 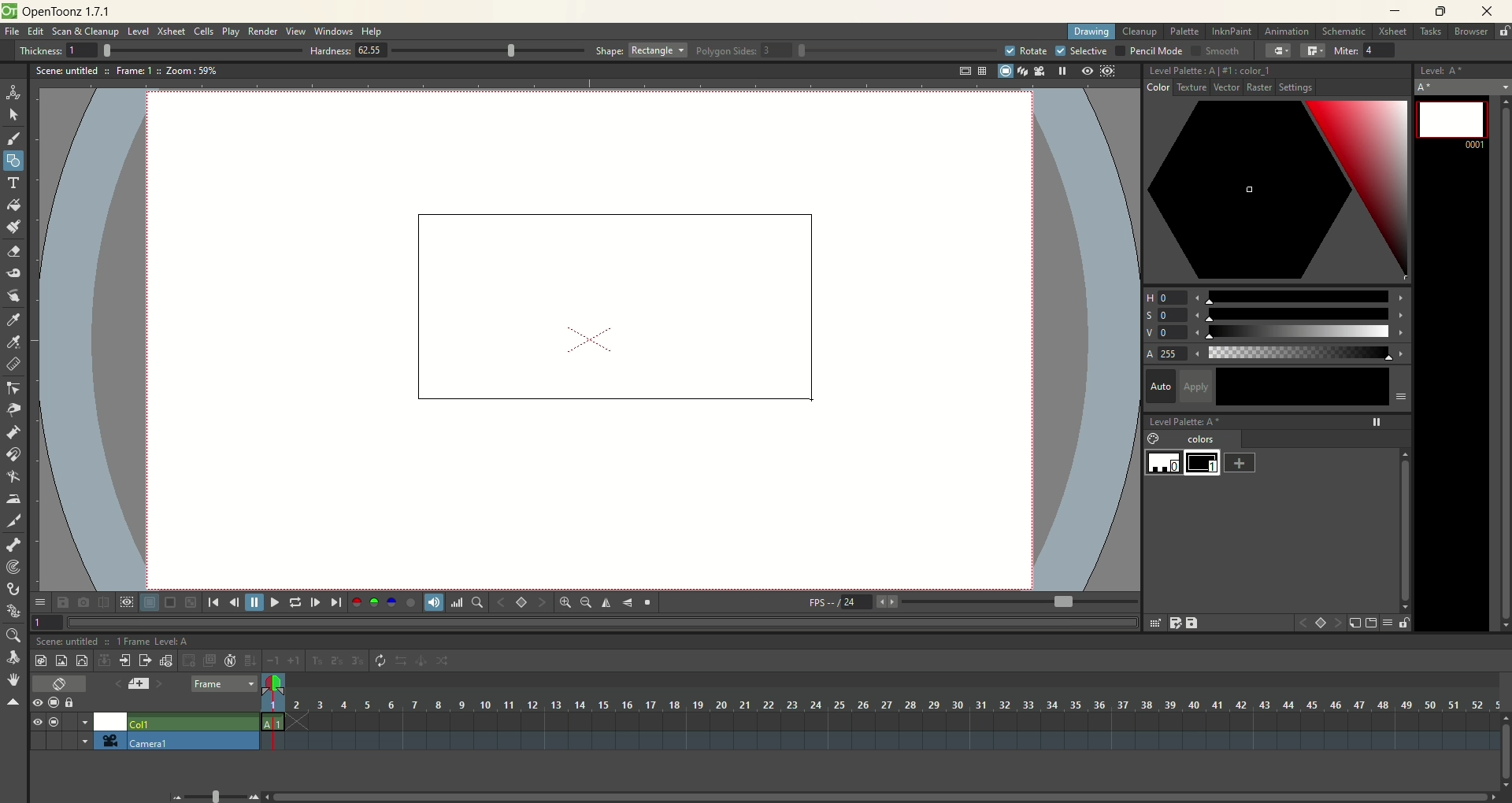 What do you see at coordinates (192, 602) in the screenshot?
I see `checkered background` at bounding box center [192, 602].